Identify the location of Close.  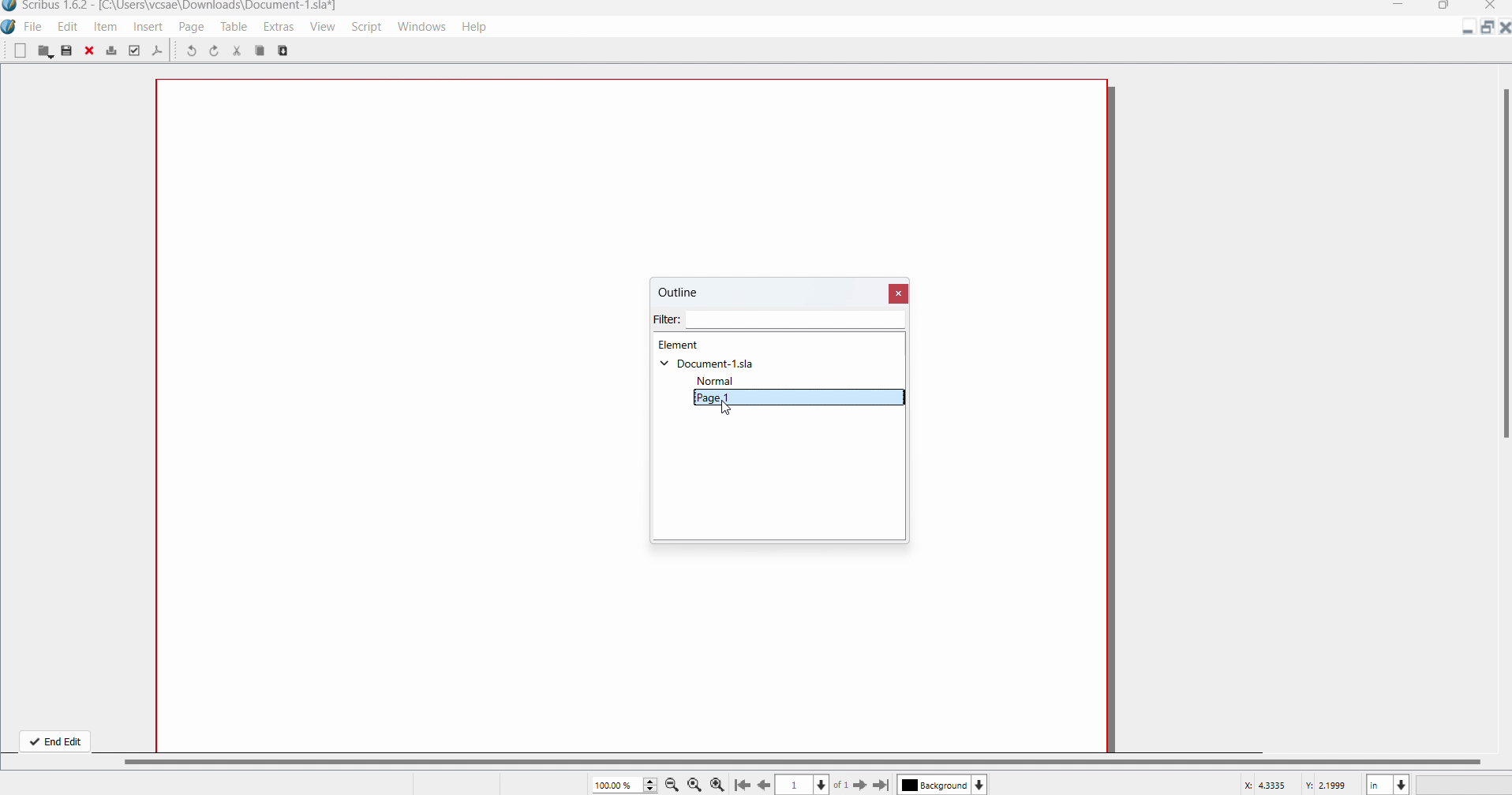
(900, 293).